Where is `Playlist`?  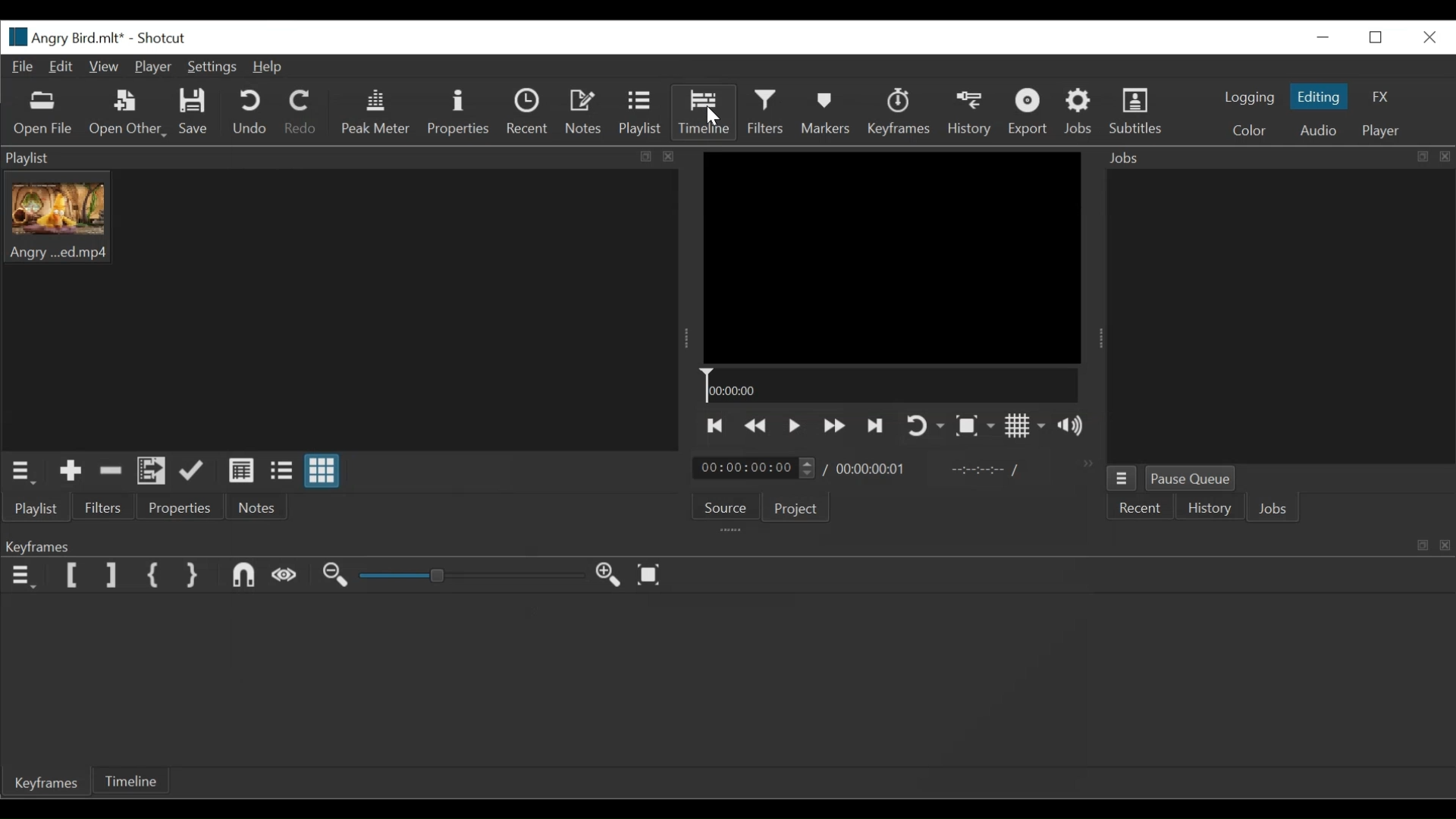 Playlist is located at coordinates (640, 111).